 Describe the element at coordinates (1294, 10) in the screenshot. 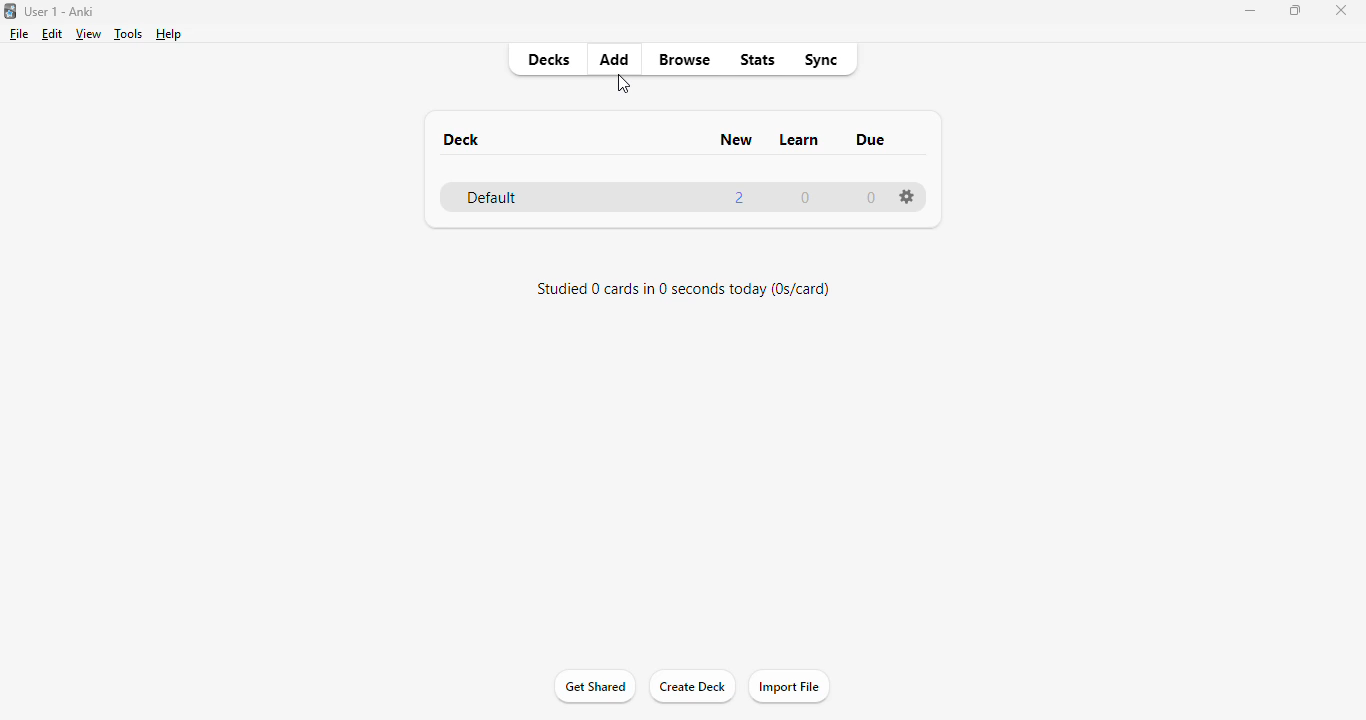

I see `maximize` at that location.